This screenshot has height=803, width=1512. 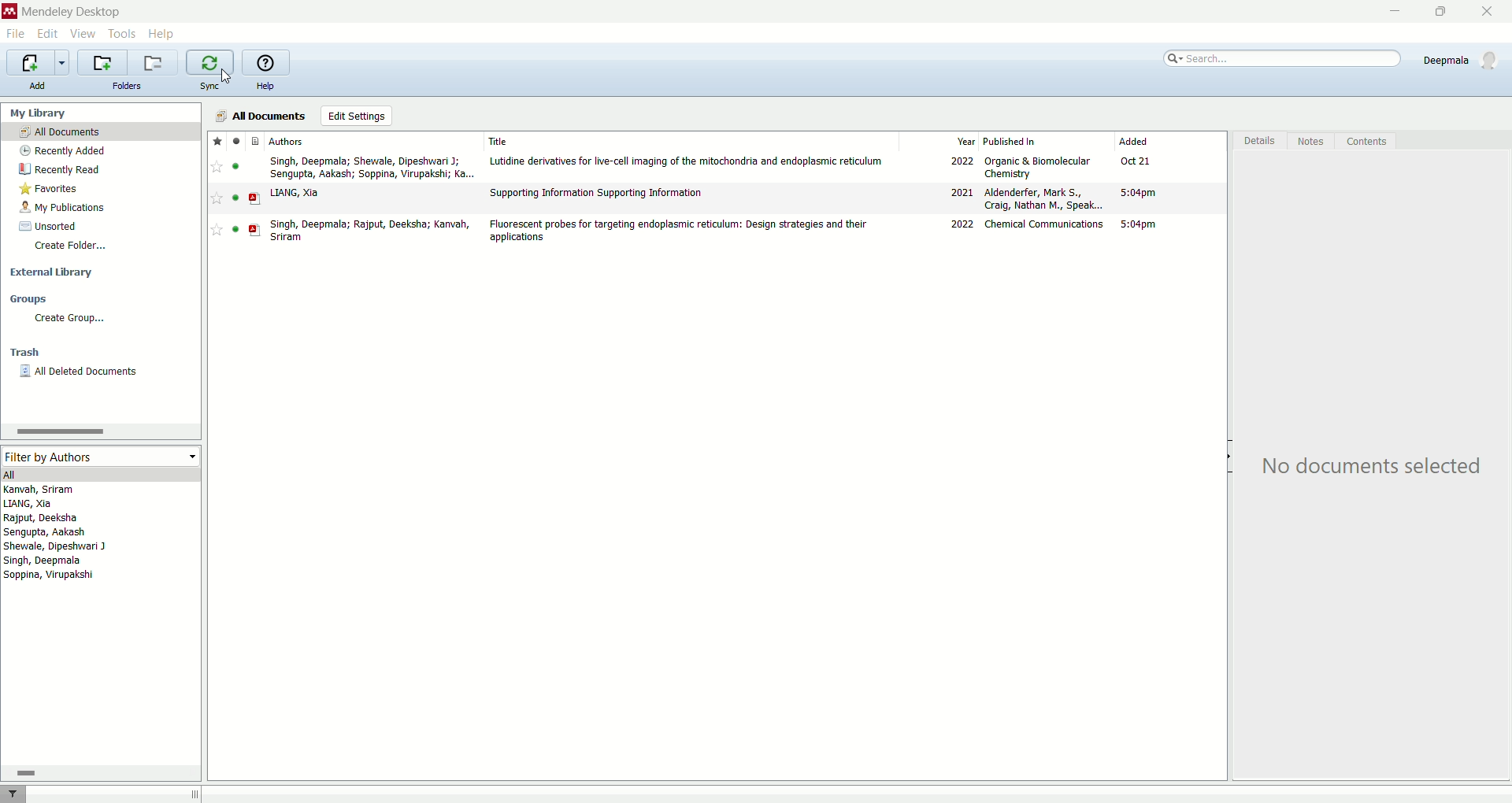 What do you see at coordinates (1044, 224) in the screenshot?
I see `Chemical Communications` at bounding box center [1044, 224].